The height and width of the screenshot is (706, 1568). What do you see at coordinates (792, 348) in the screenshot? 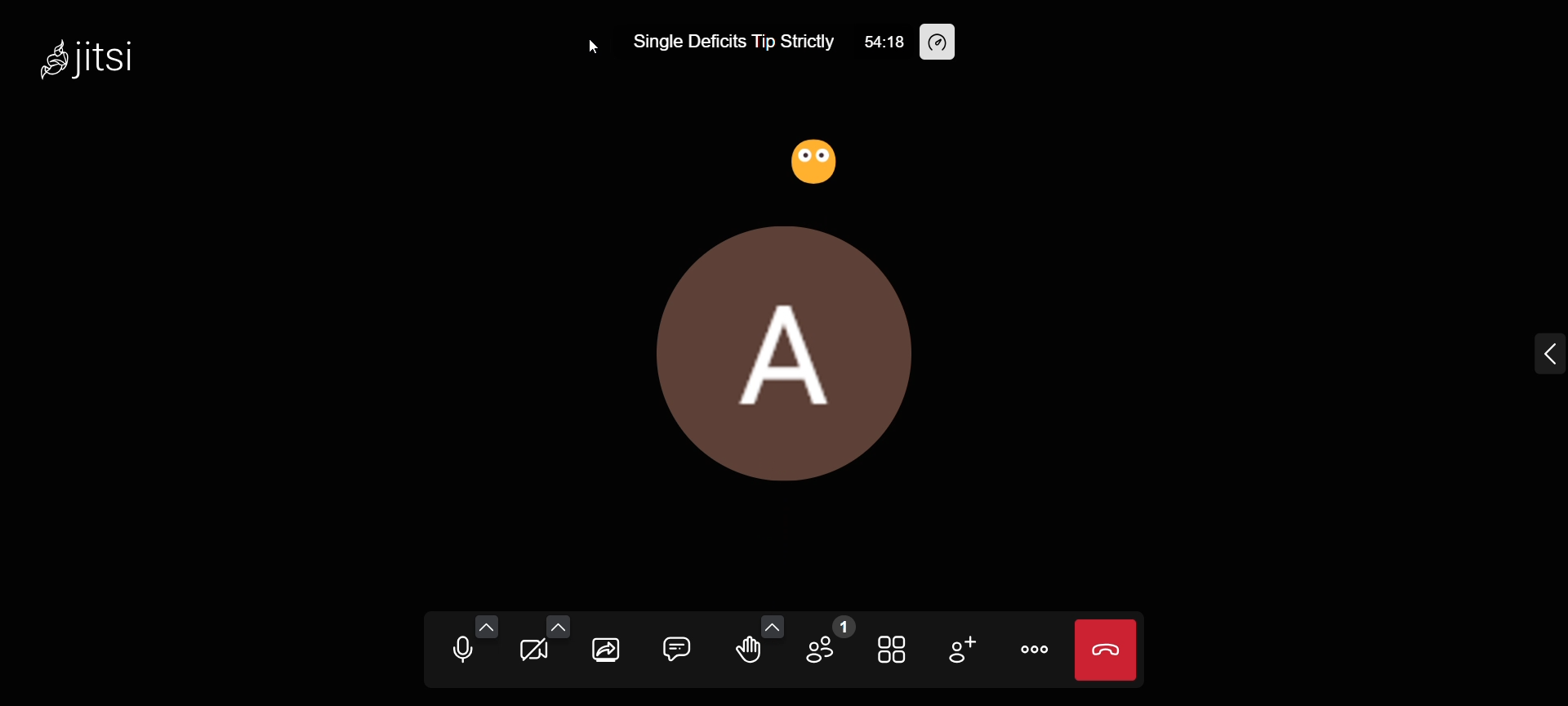
I see `display picture` at bounding box center [792, 348].